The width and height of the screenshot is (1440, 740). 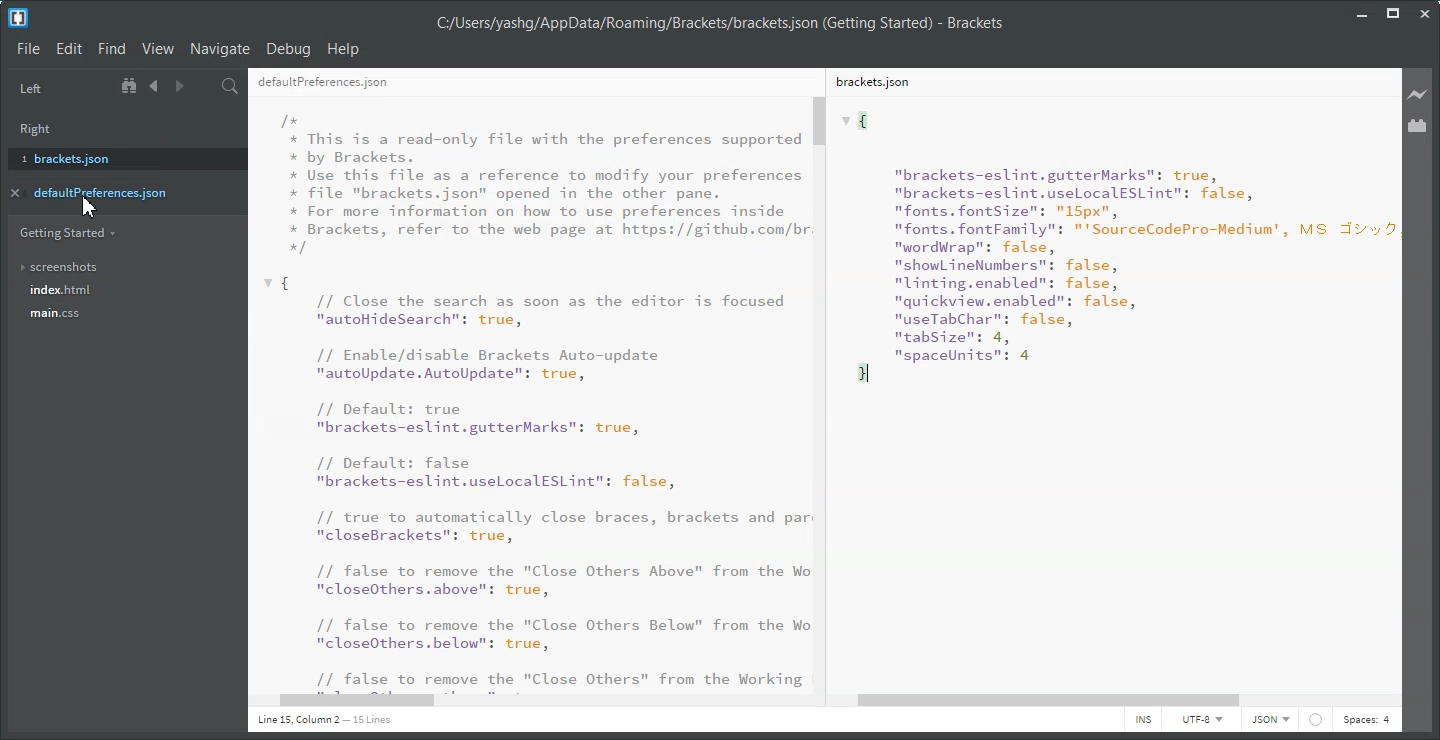 I want to click on Right Panel, so click(x=42, y=126).